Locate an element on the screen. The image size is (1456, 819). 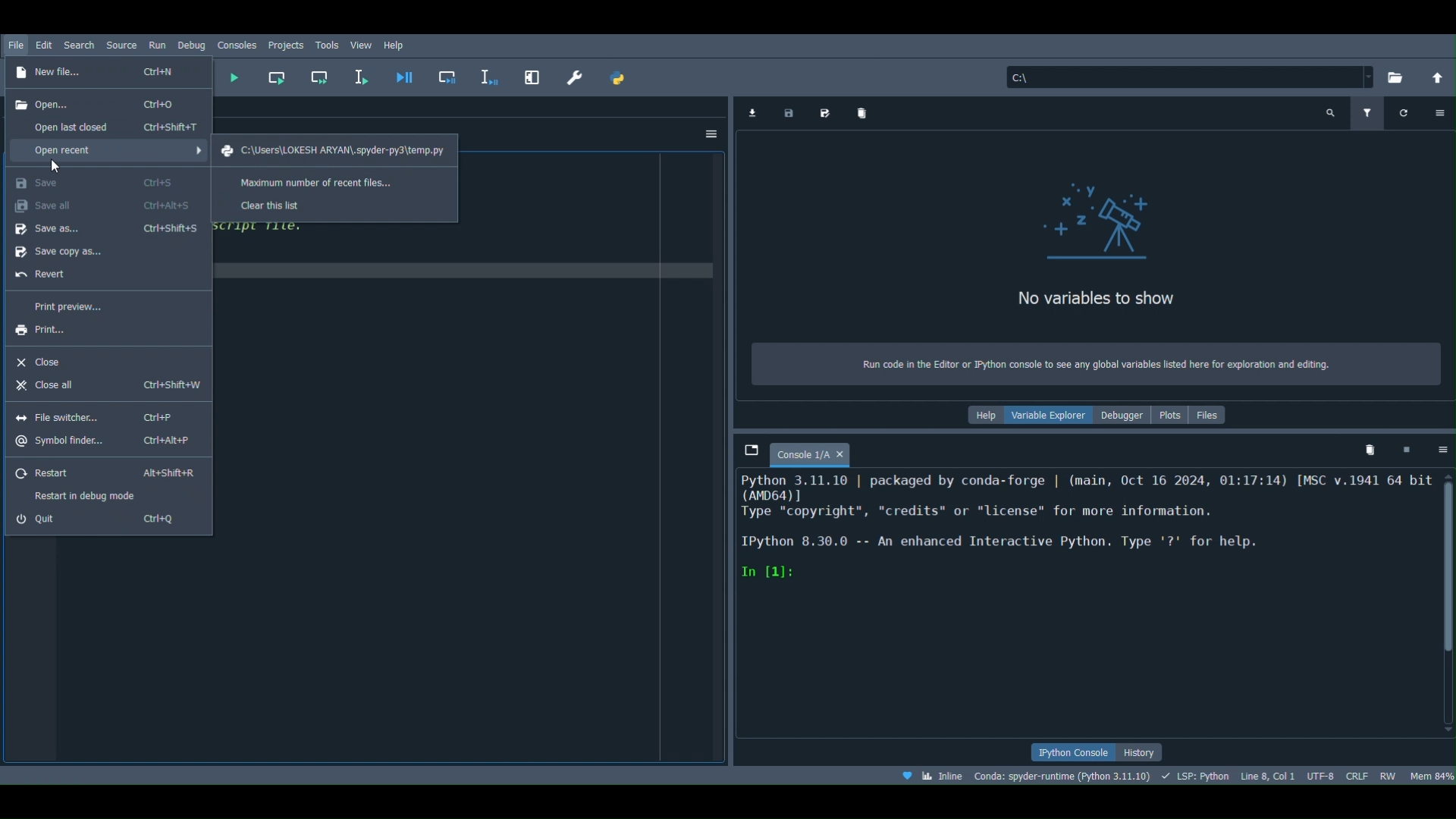
Options is located at coordinates (1442, 453).